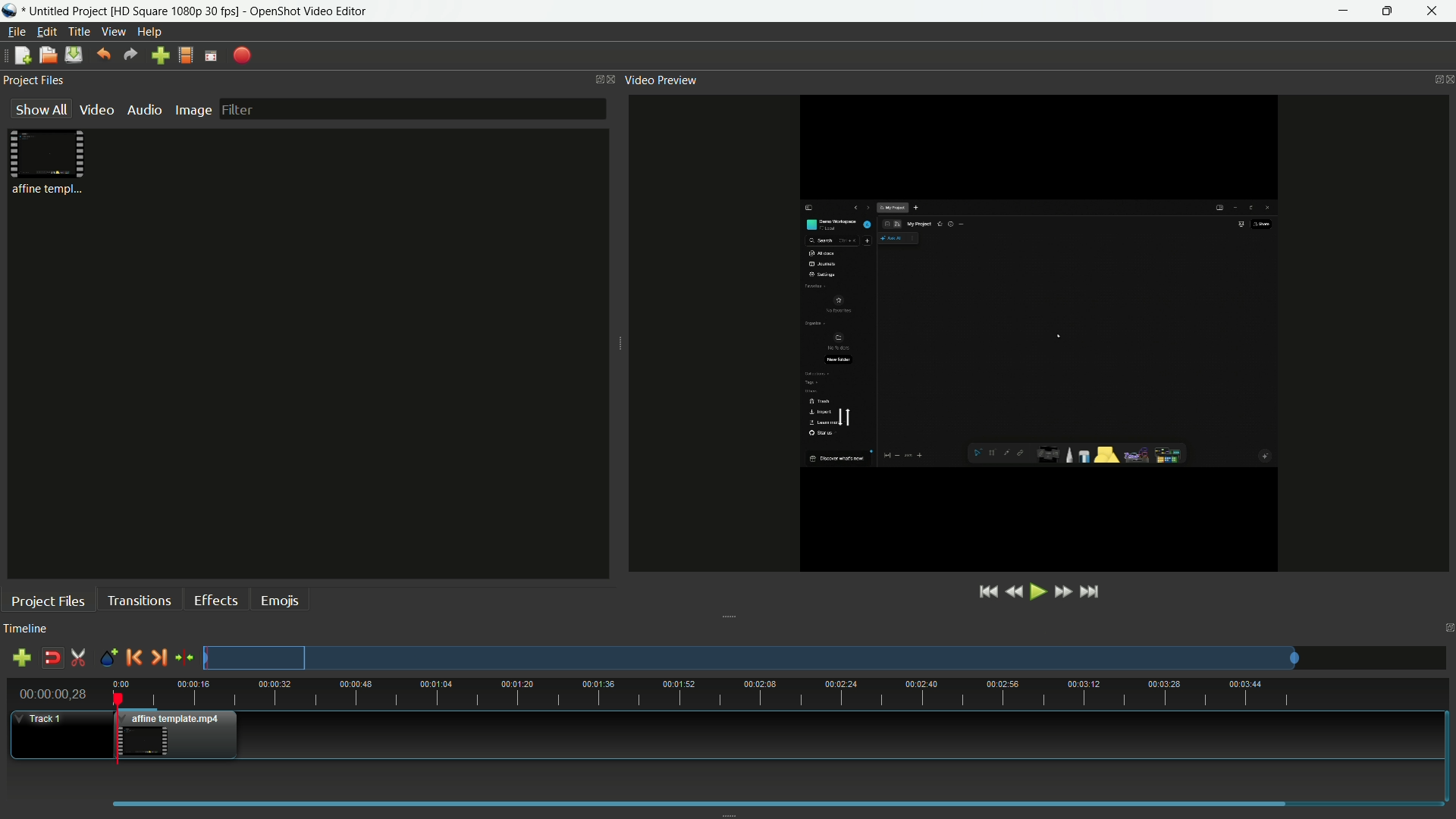  Describe the element at coordinates (1447, 80) in the screenshot. I see `close video preview` at that location.